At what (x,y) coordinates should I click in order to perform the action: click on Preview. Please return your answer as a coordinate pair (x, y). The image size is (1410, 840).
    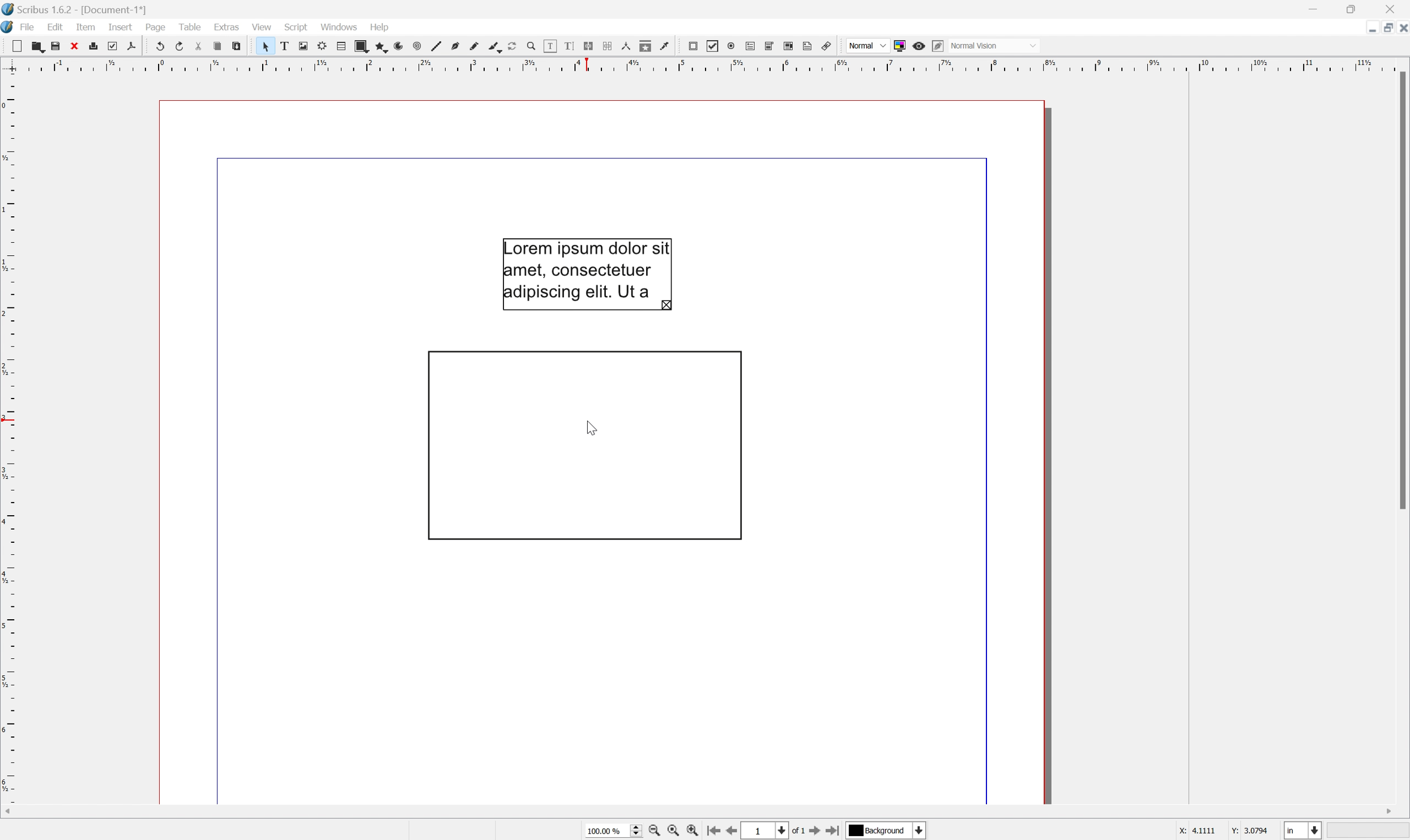
    Looking at the image, I should click on (919, 45).